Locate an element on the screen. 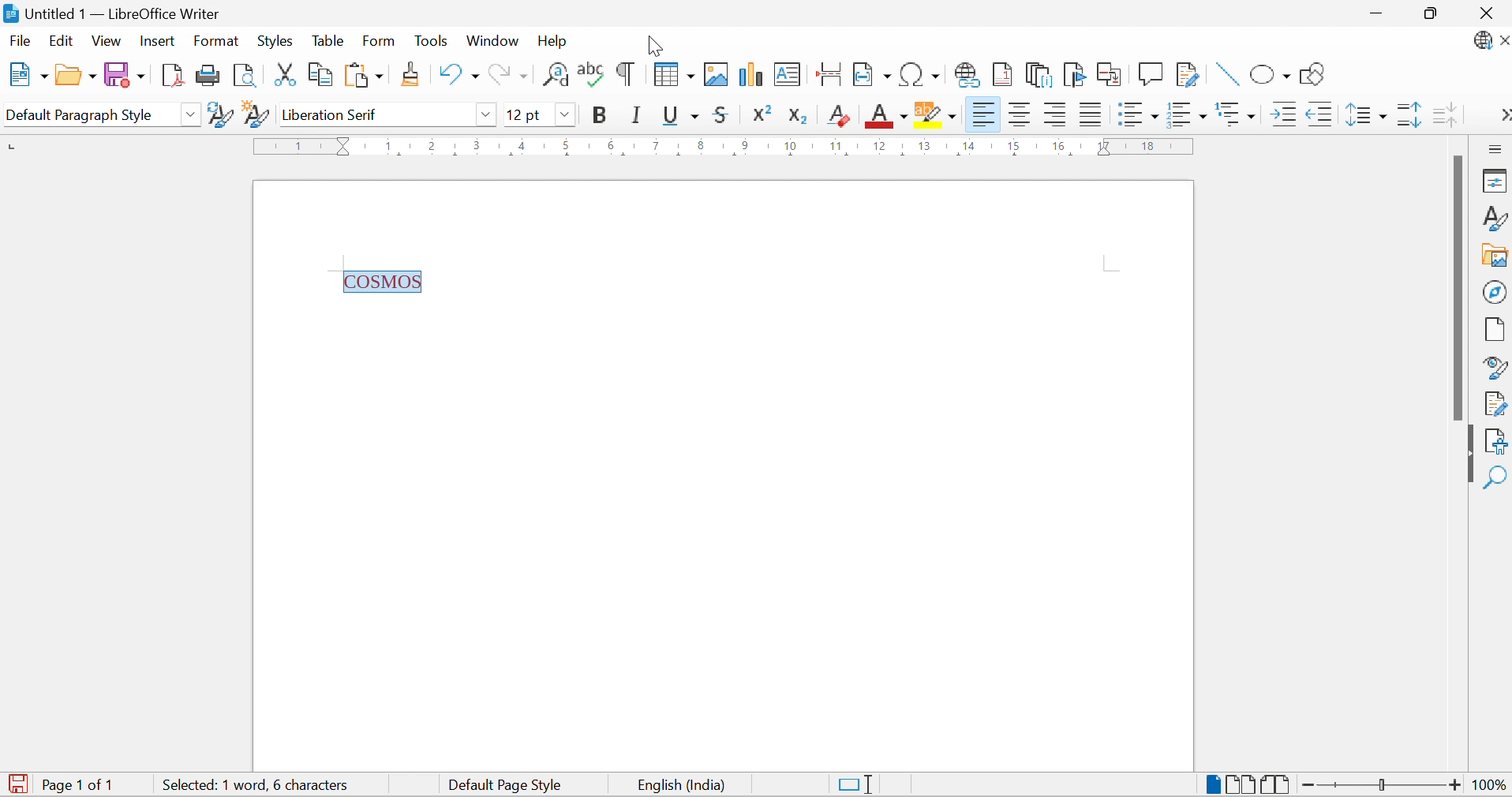 Image resolution: width=1512 pixels, height=797 pixels. 15 is located at coordinates (1014, 146).